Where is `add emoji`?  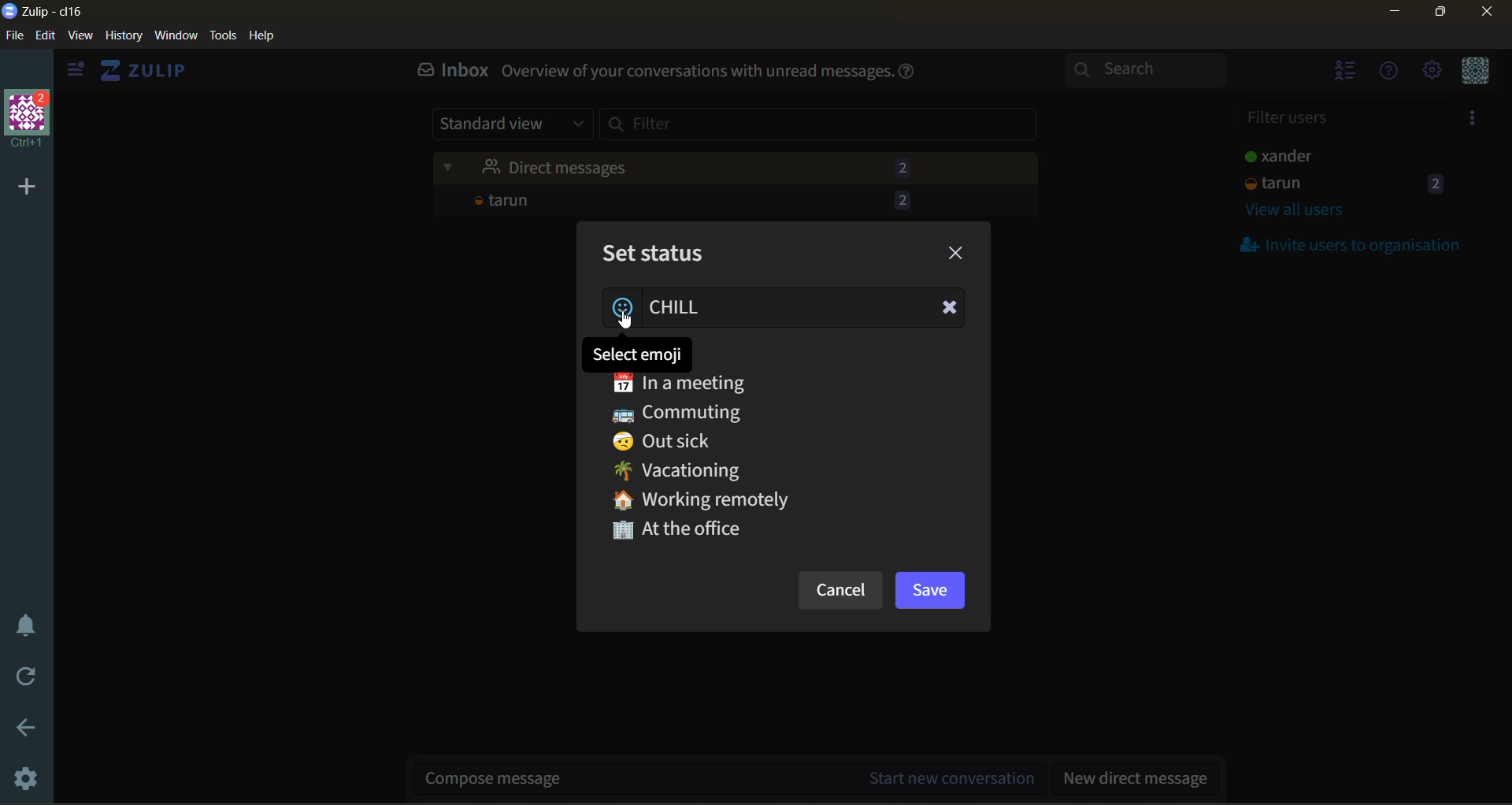
add emoji is located at coordinates (624, 308).